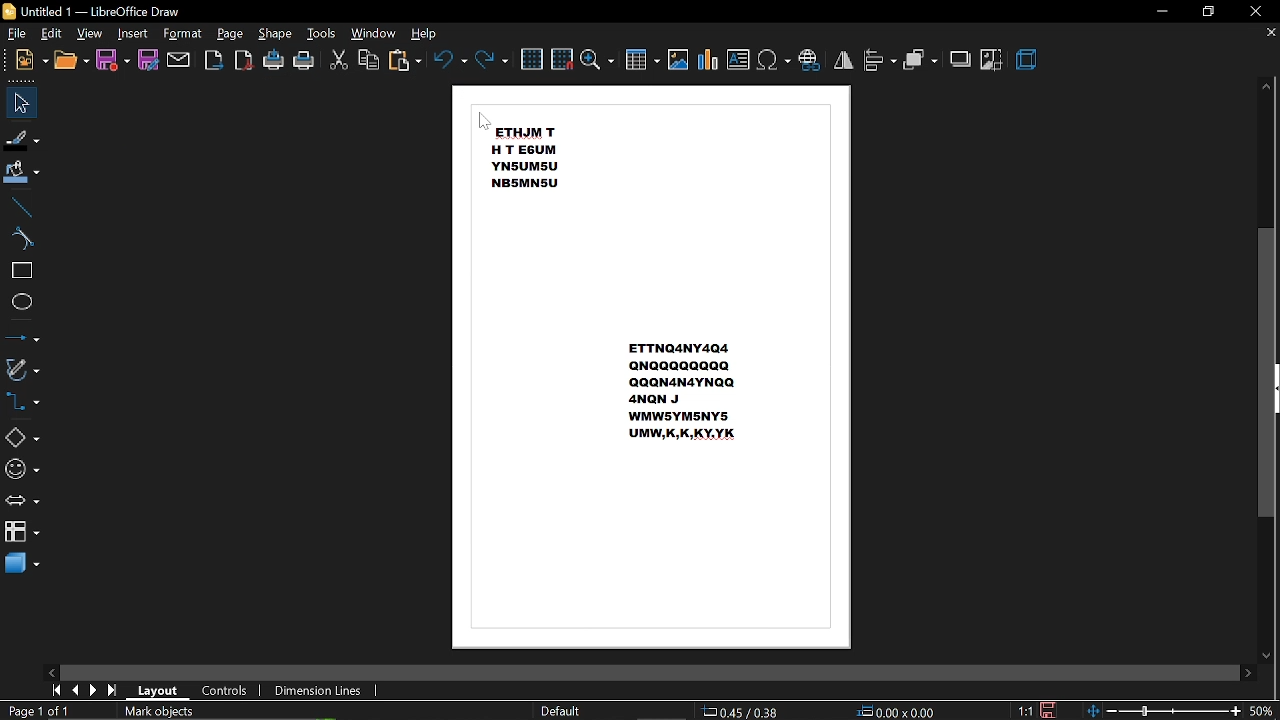  Describe the element at coordinates (229, 691) in the screenshot. I see `controls` at that location.